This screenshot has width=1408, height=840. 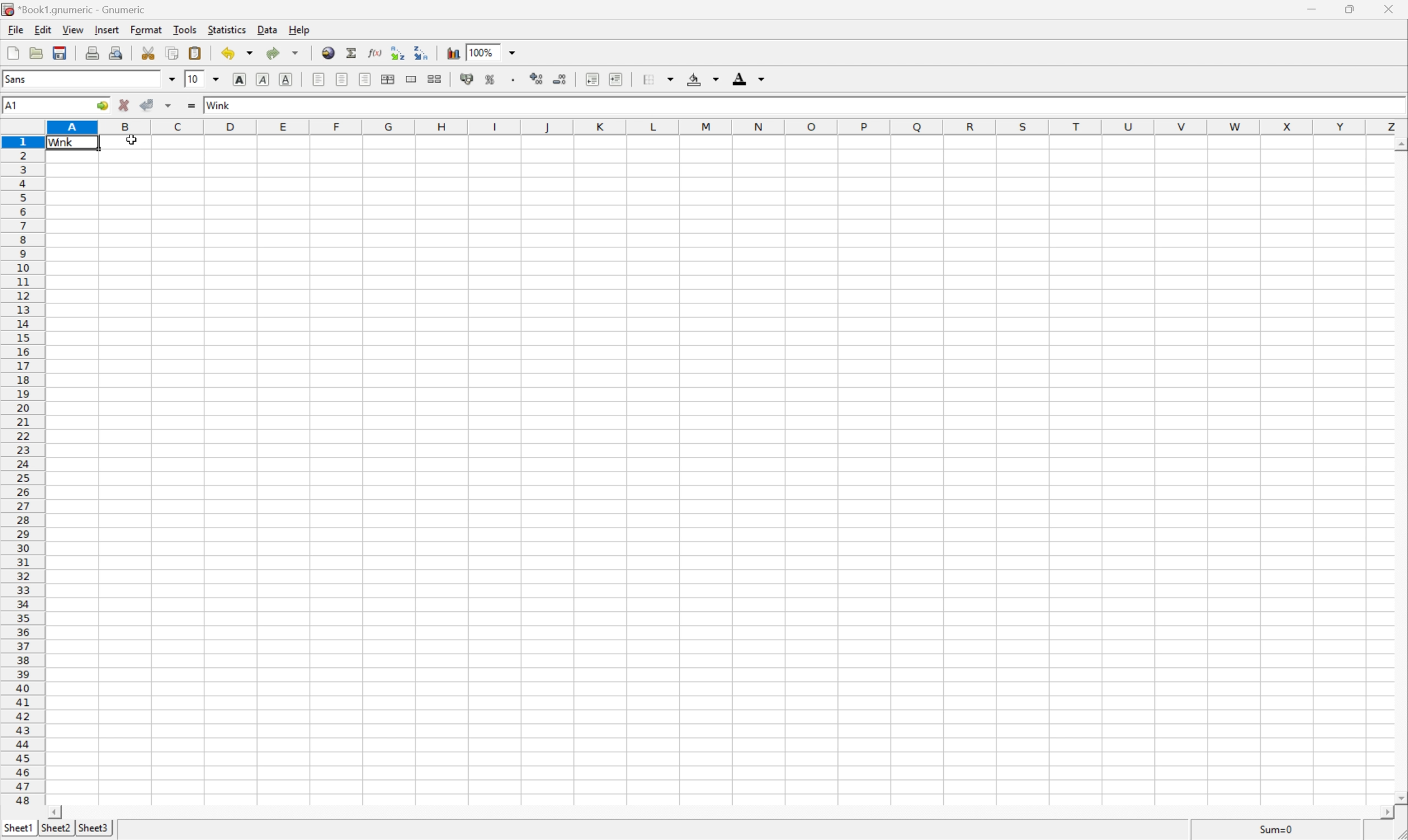 What do you see at coordinates (399, 52) in the screenshot?
I see `Sort the selected region in ascending order based on the first column selected` at bounding box center [399, 52].